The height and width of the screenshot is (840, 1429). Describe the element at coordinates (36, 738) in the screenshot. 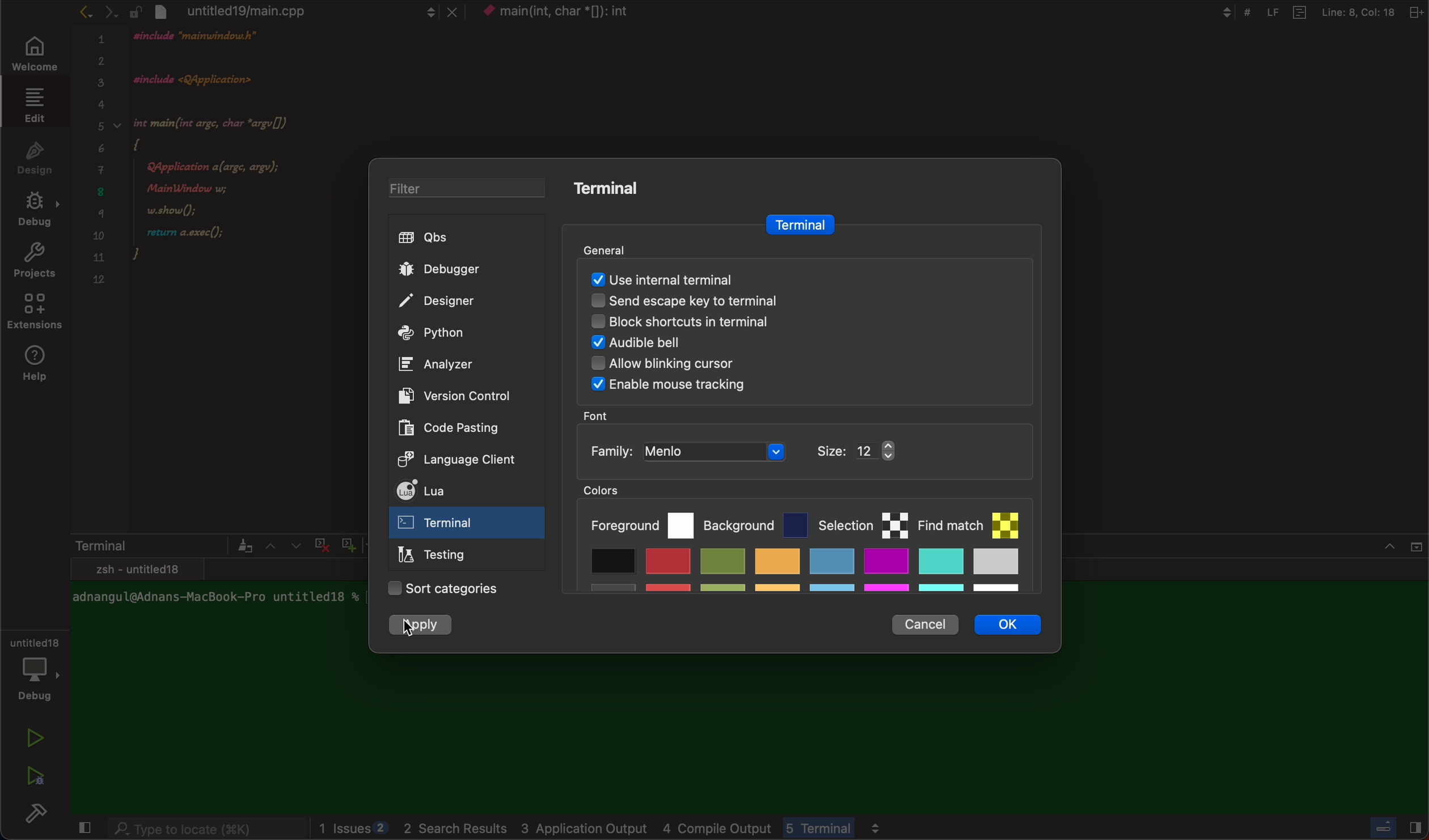

I see `run` at that location.